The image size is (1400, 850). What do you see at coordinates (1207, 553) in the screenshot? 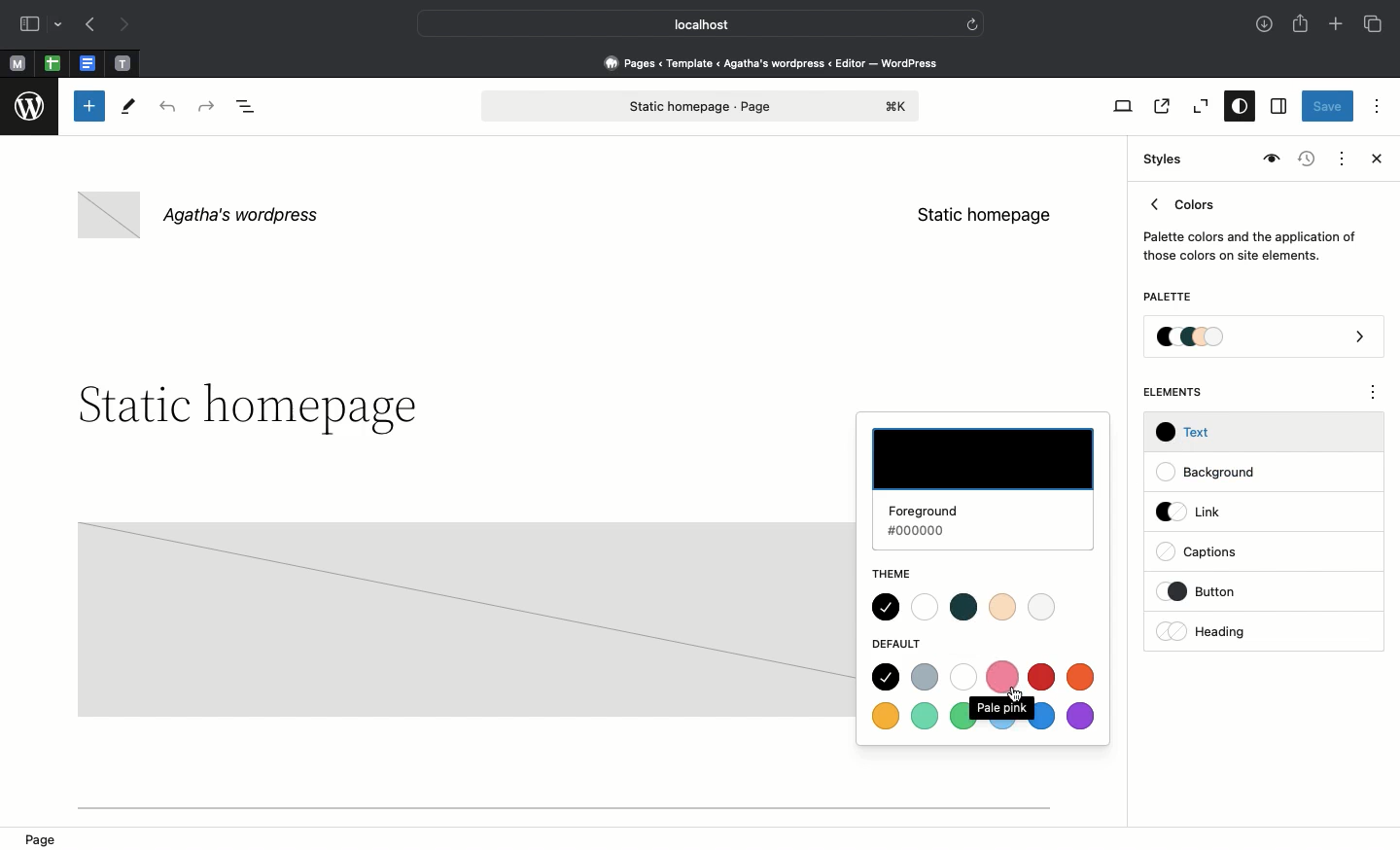
I see `Captions` at bounding box center [1207, 553].